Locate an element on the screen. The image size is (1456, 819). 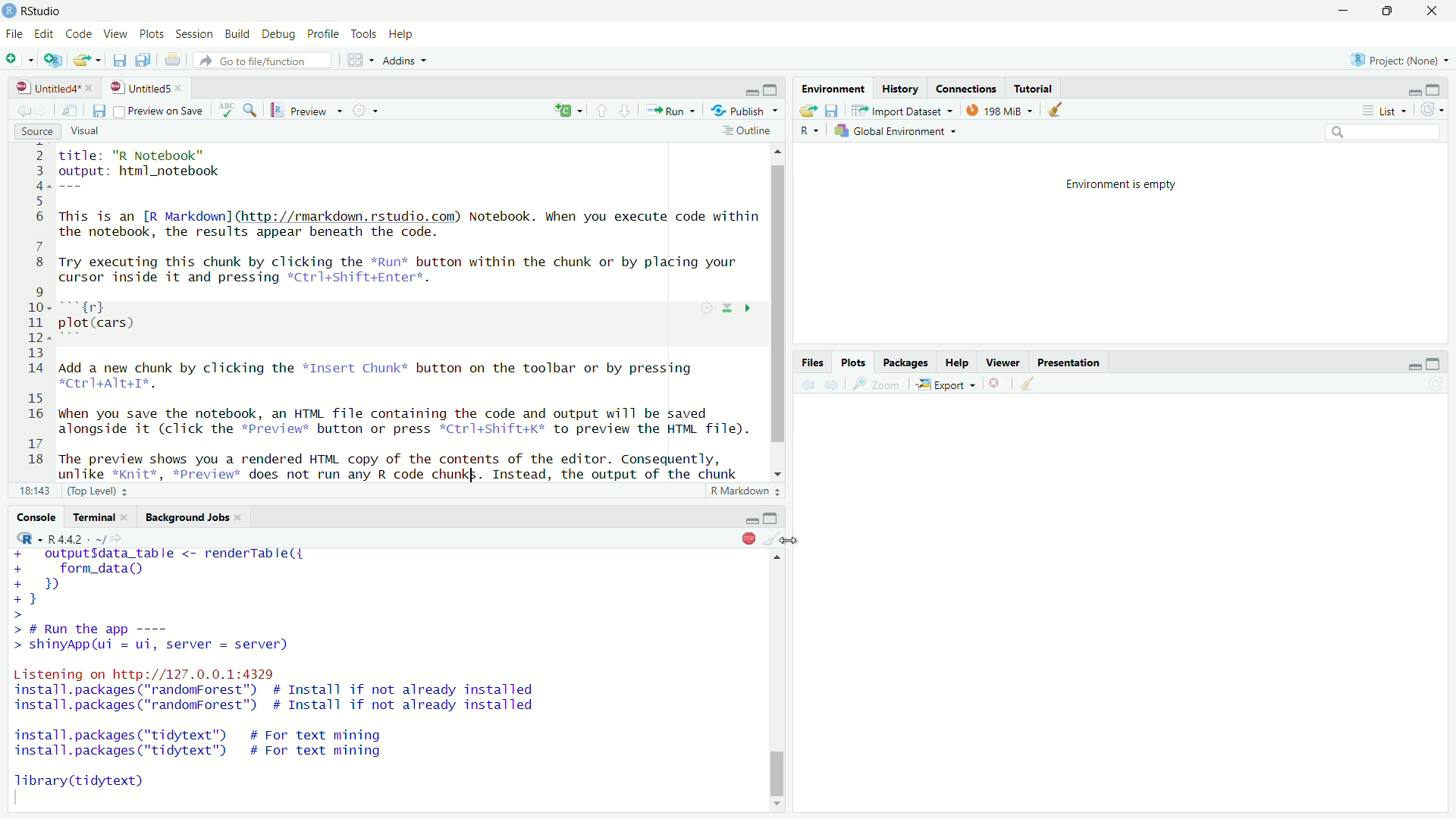
Console is located at coordinates (36, 516).